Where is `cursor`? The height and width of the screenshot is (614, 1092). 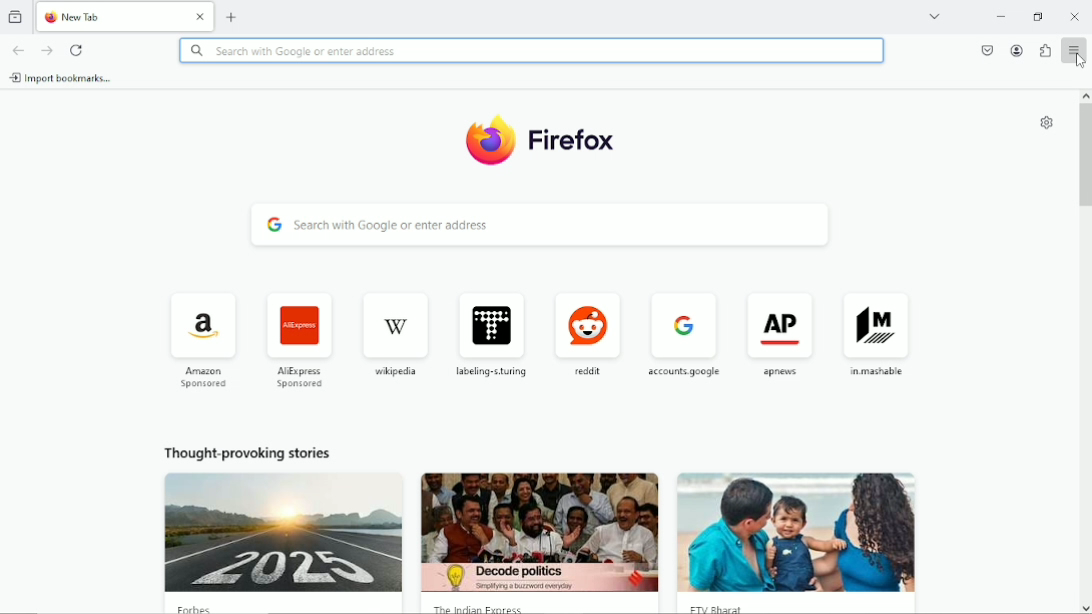 cursor is located at coordinates (1078, 61).